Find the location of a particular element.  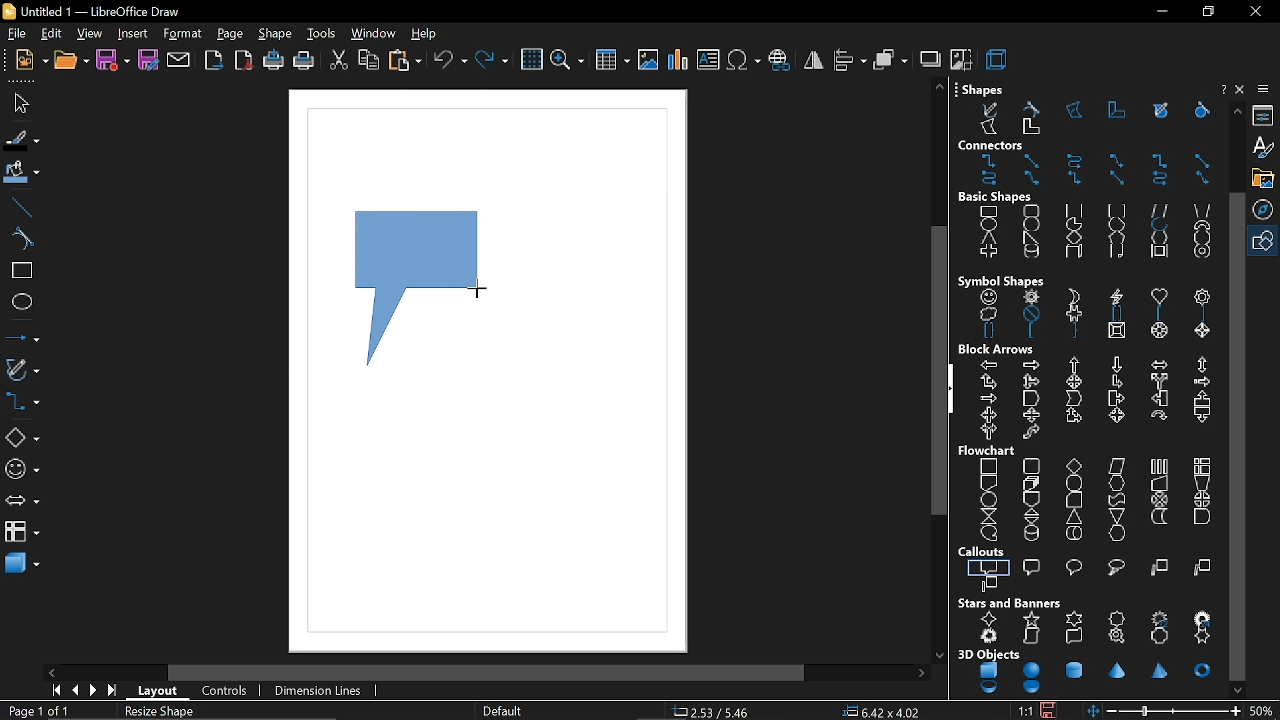

copy is located at coordinates (369, 60).